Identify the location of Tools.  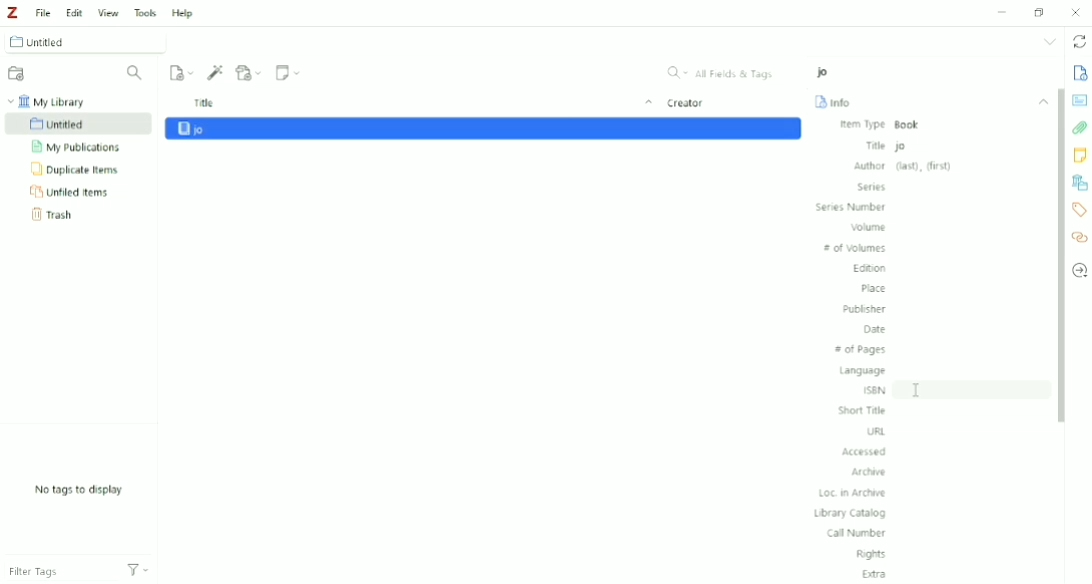
(145, 12).